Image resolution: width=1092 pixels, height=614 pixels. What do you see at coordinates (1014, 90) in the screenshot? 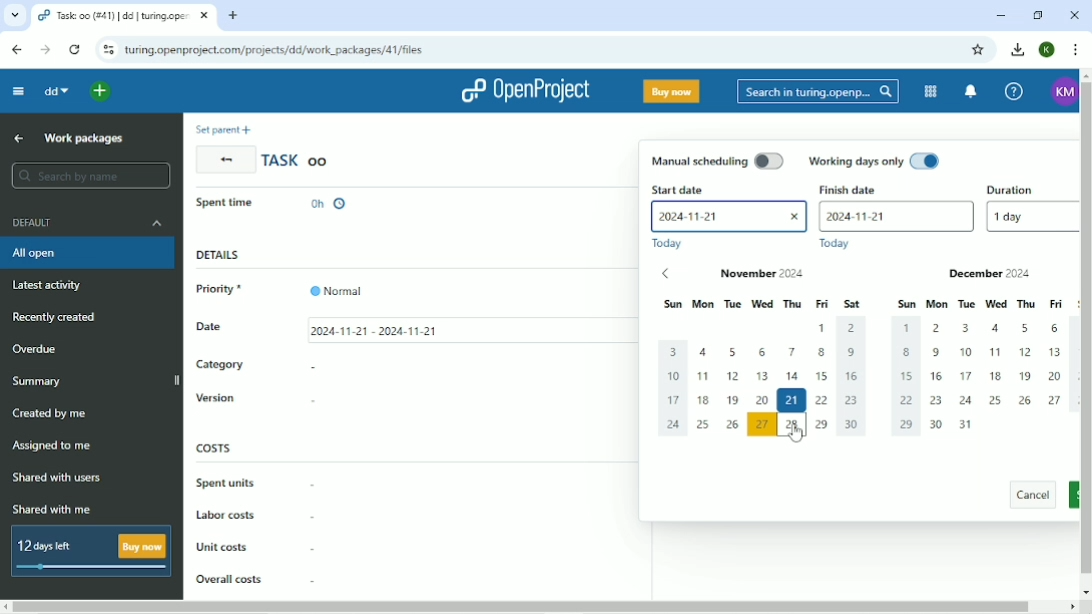
I see `Help` at bounding box center [1014, 90].